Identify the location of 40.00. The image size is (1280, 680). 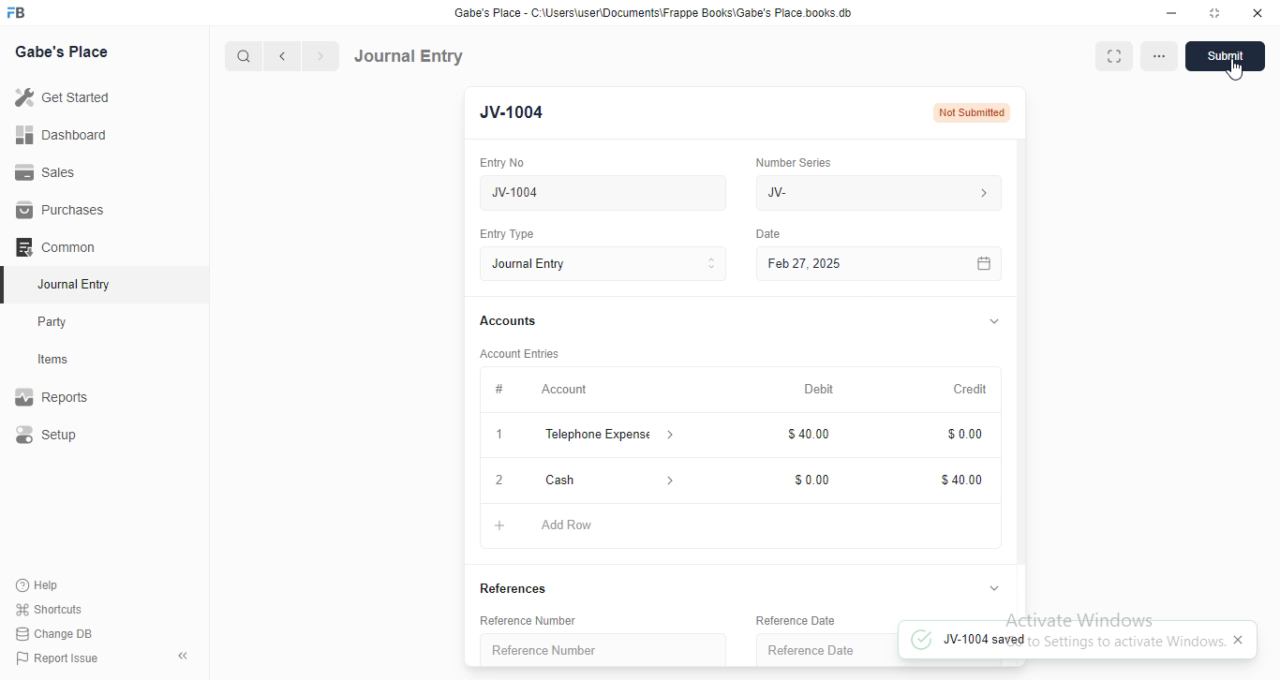
(803, 435).